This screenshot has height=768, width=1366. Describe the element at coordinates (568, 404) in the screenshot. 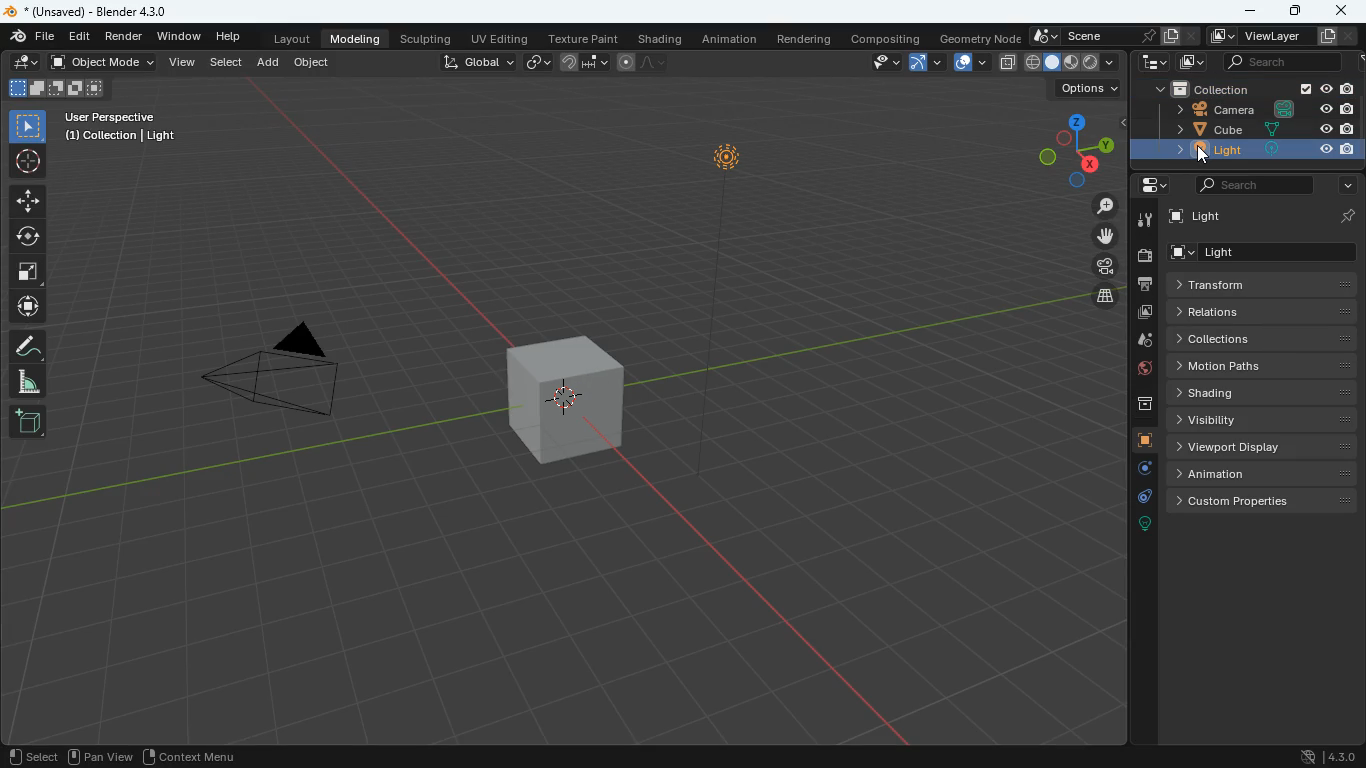

I see `cube` at that location.